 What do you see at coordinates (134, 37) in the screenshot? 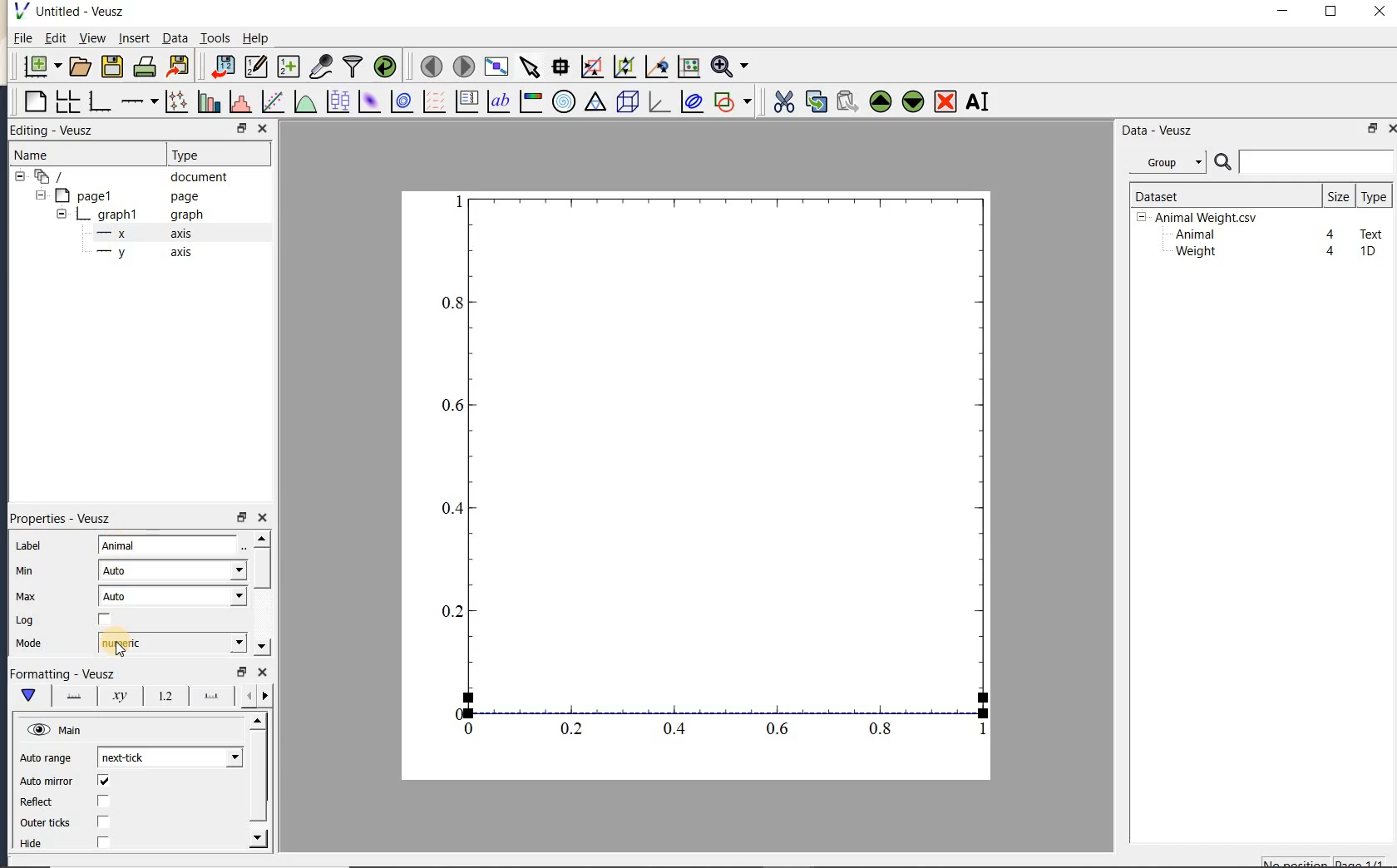
I see `insert` at bounding box center [134, 37].